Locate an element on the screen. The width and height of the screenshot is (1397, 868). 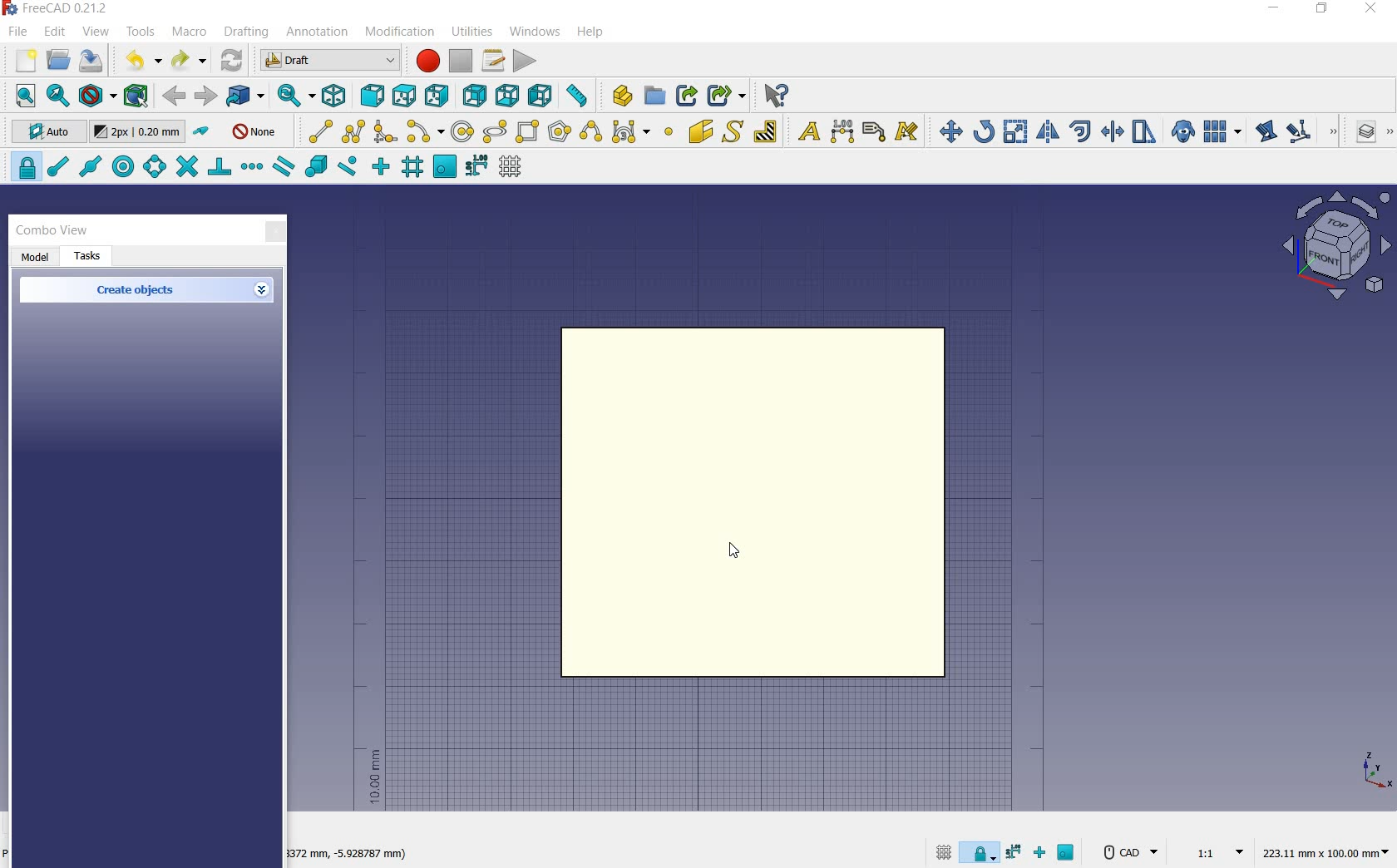
minimize is located at coordinates (1275, 10).